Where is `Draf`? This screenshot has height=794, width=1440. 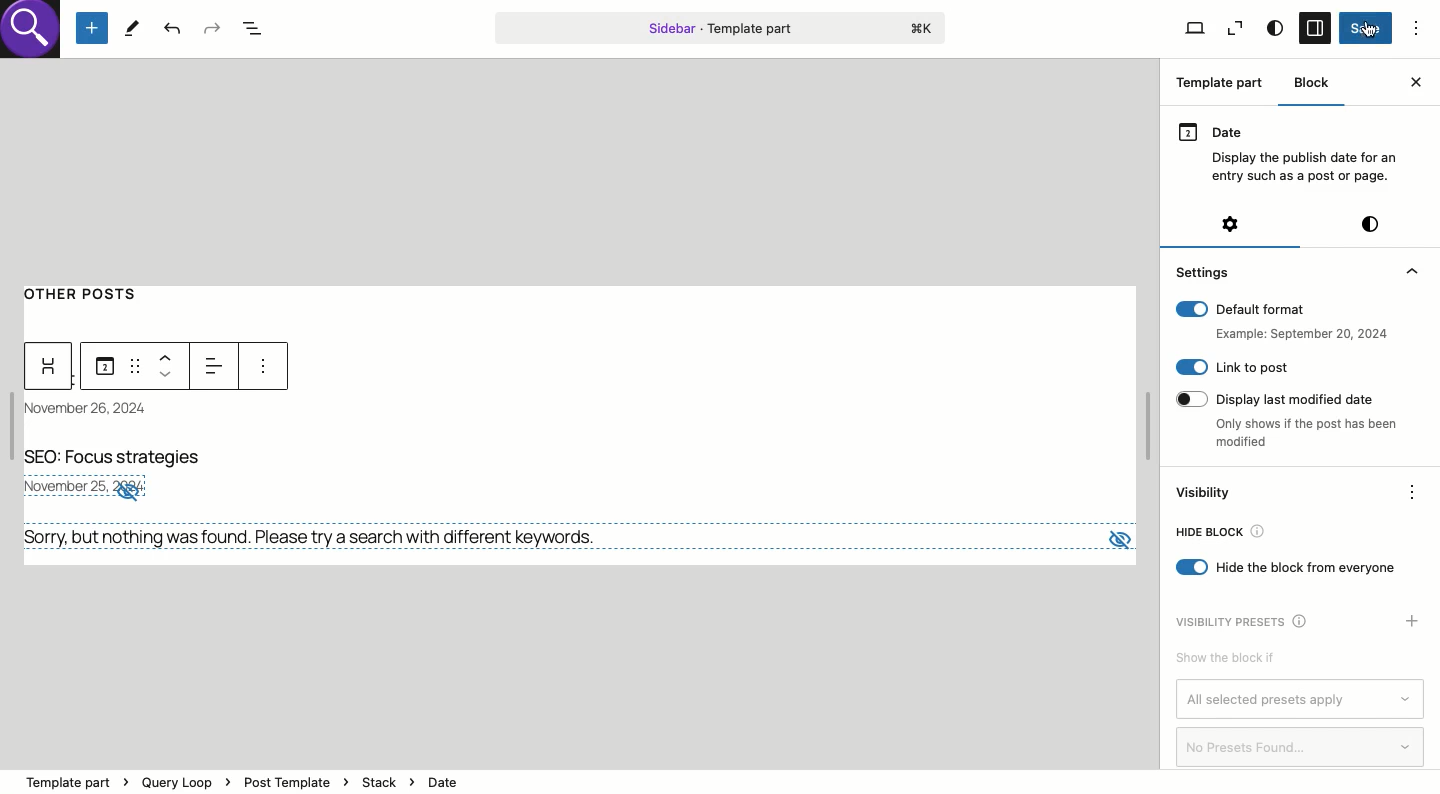 Draf is located at coordinates (133, 364).